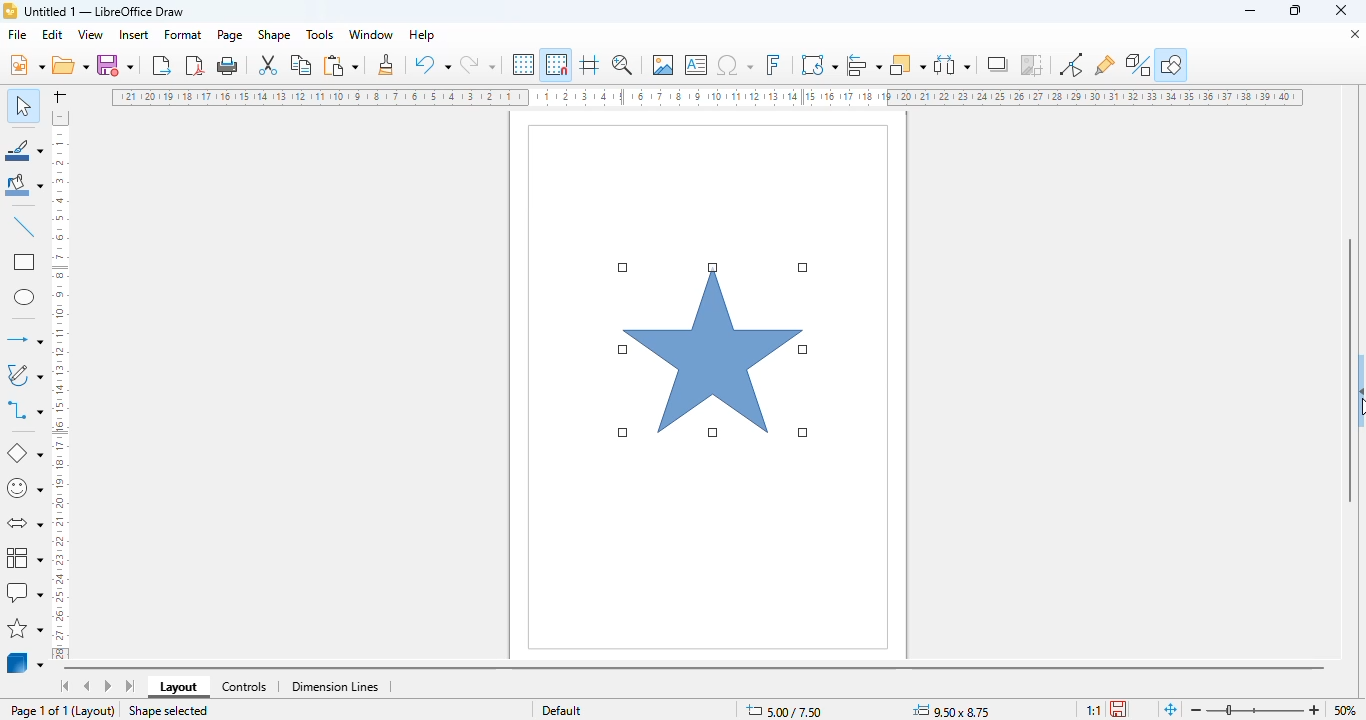  I want to click on zoom factor, so click(1344, 708).